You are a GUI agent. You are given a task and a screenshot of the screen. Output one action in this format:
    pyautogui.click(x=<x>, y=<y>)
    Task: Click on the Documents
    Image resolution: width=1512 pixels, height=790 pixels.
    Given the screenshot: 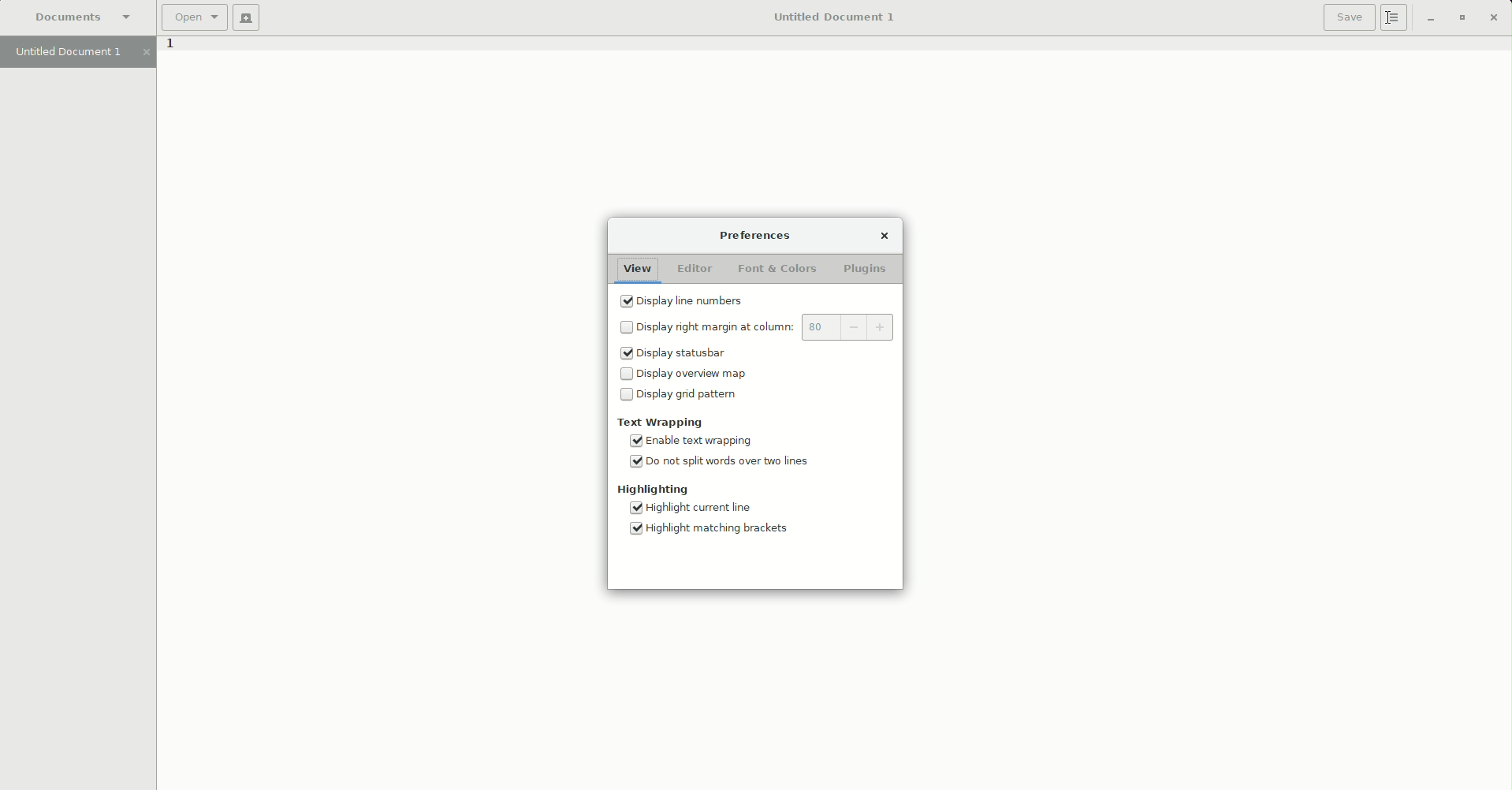 What is the action you would take?
    pyautogui.click(x=84, y=17)
    